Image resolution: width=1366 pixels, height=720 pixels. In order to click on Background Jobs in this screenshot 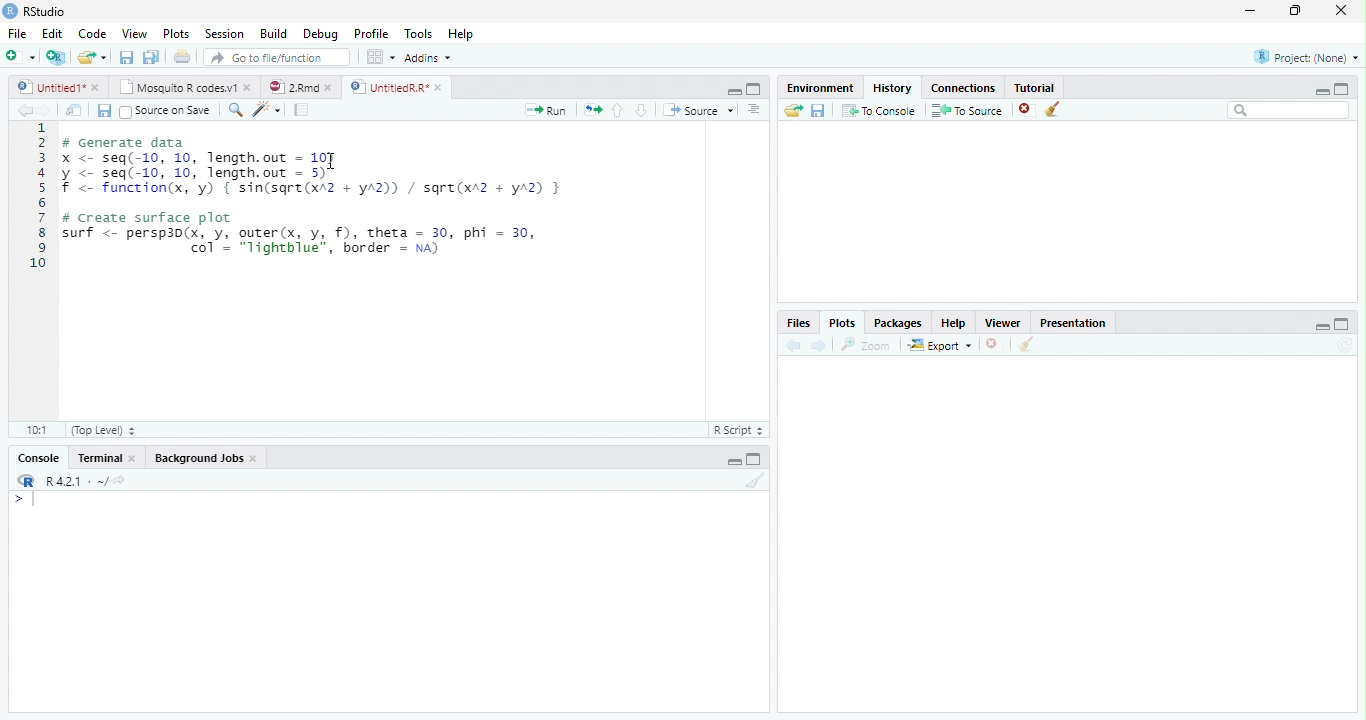, I will do `click(199, 458)`.